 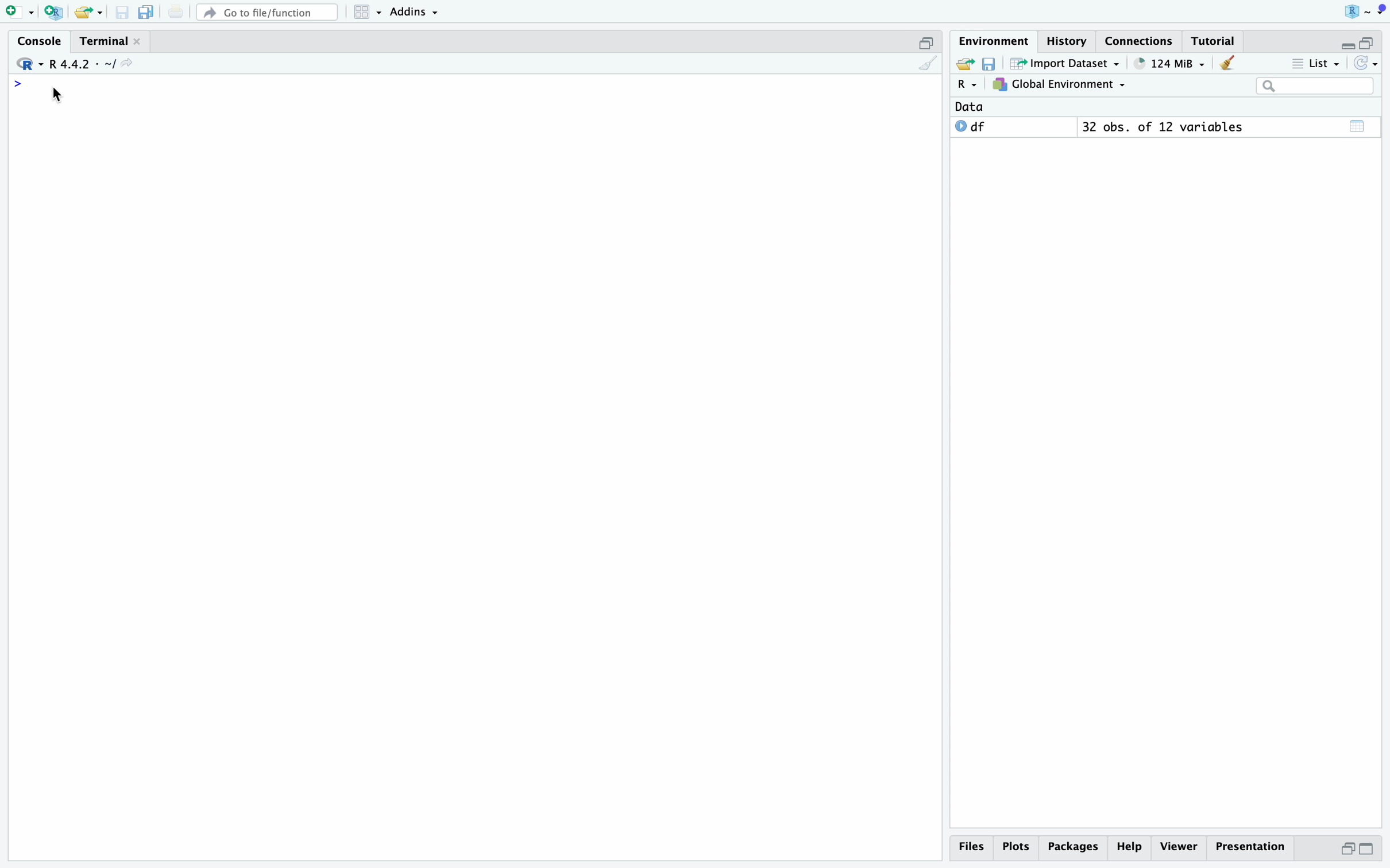 What do you see at coordinates (1140, 41) in the screenshot?
I see `connections` at bounding box center [1140, 41].